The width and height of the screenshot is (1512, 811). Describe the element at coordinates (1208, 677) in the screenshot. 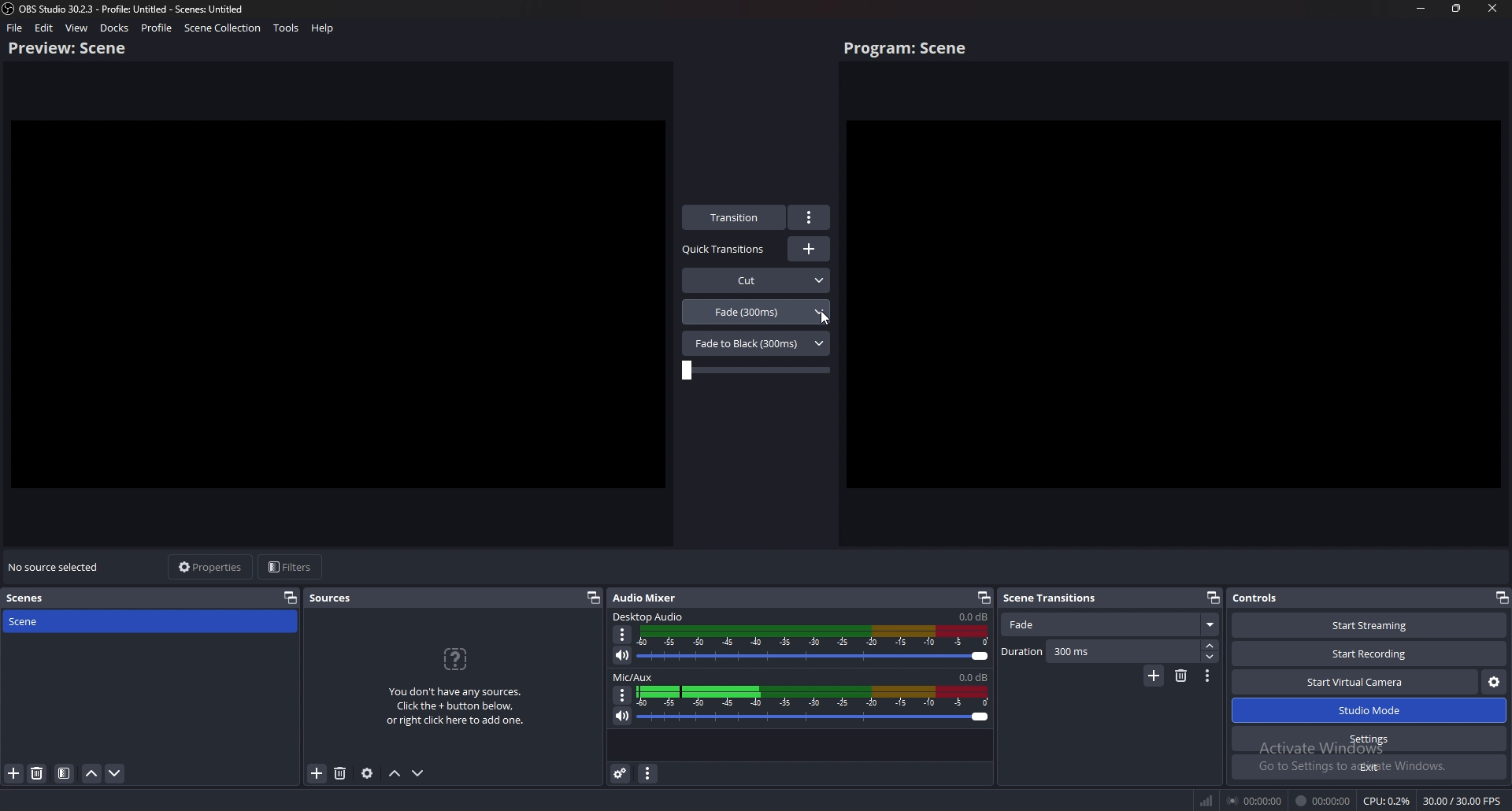

I see `Options` at that location.